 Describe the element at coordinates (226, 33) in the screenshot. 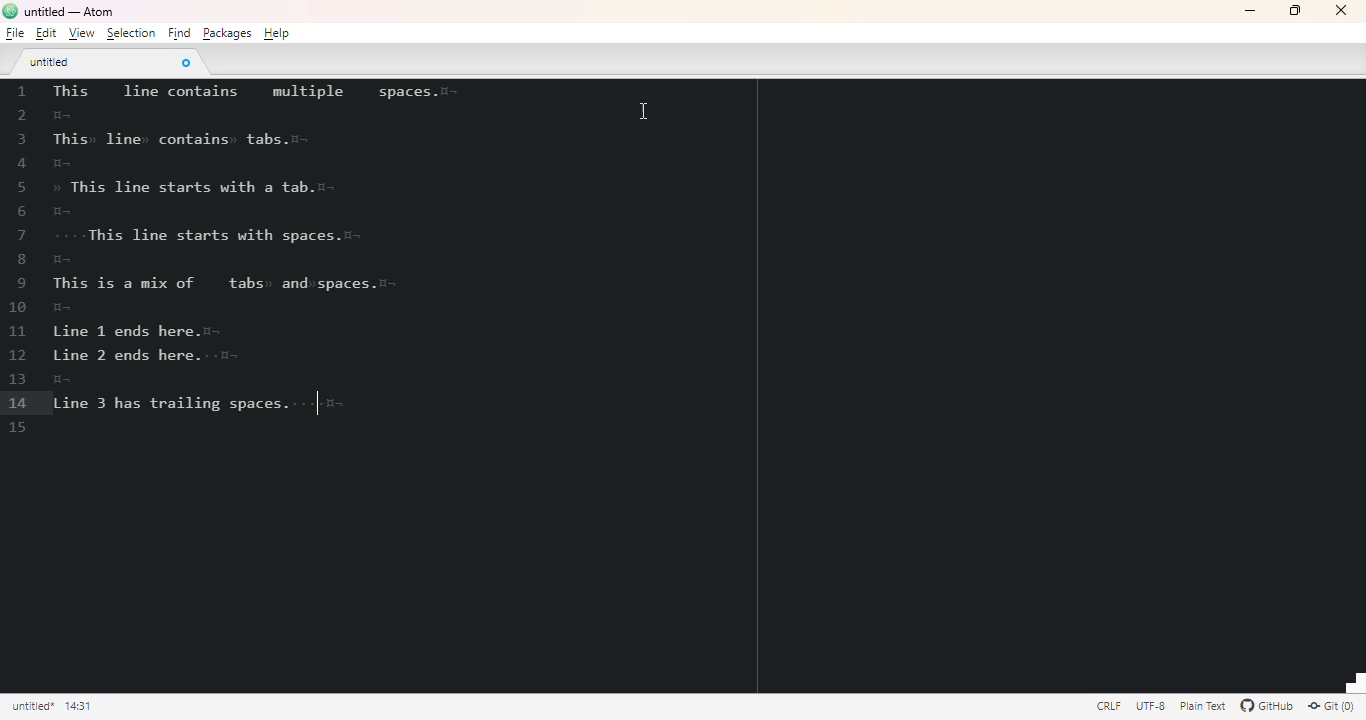

I see `packages` at that location.